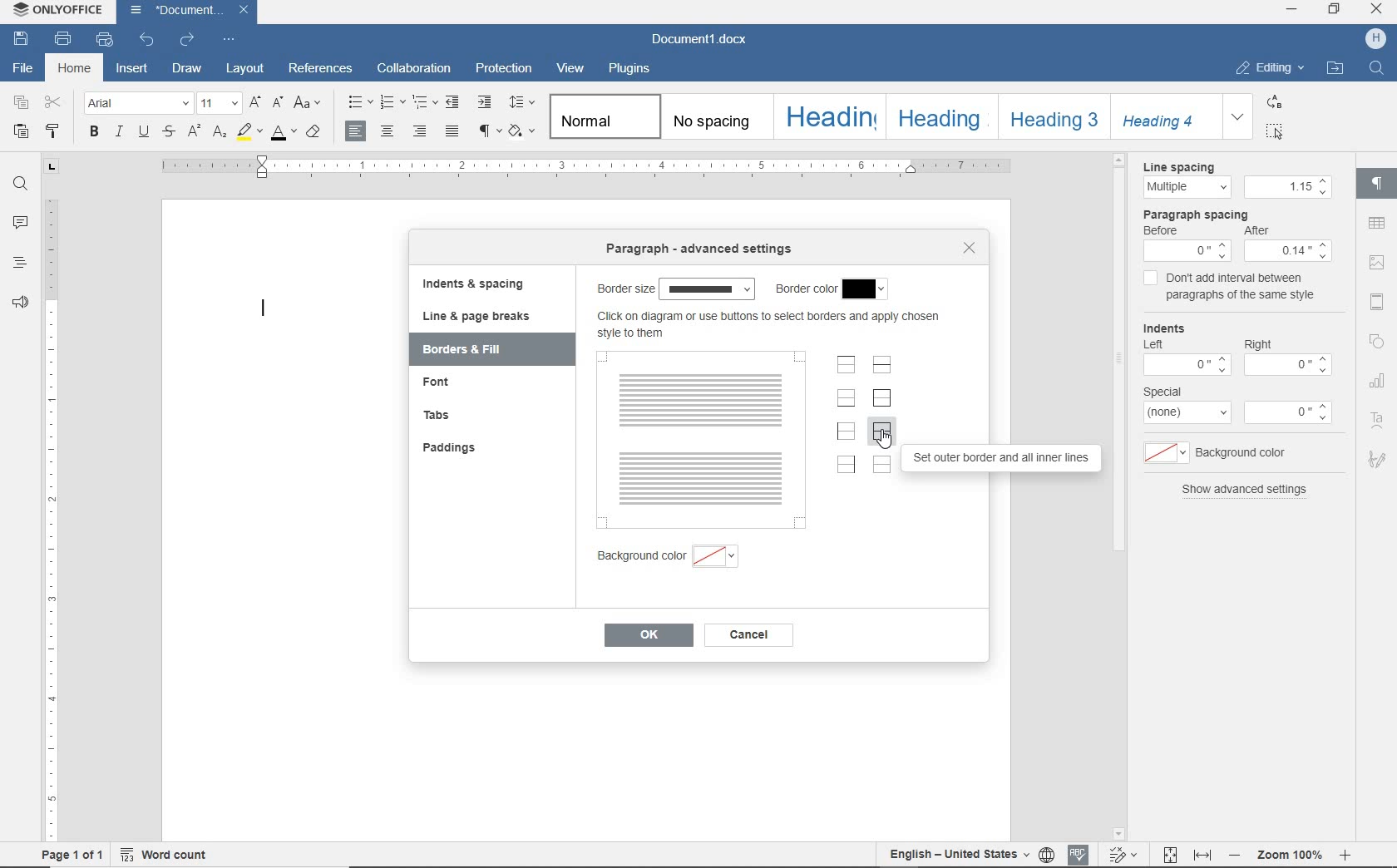 Image resolution: width=1397 pixels, height=868 pixels. Describe the element at coordinates (25, 41) in the screenshot. I see `save` at that location.